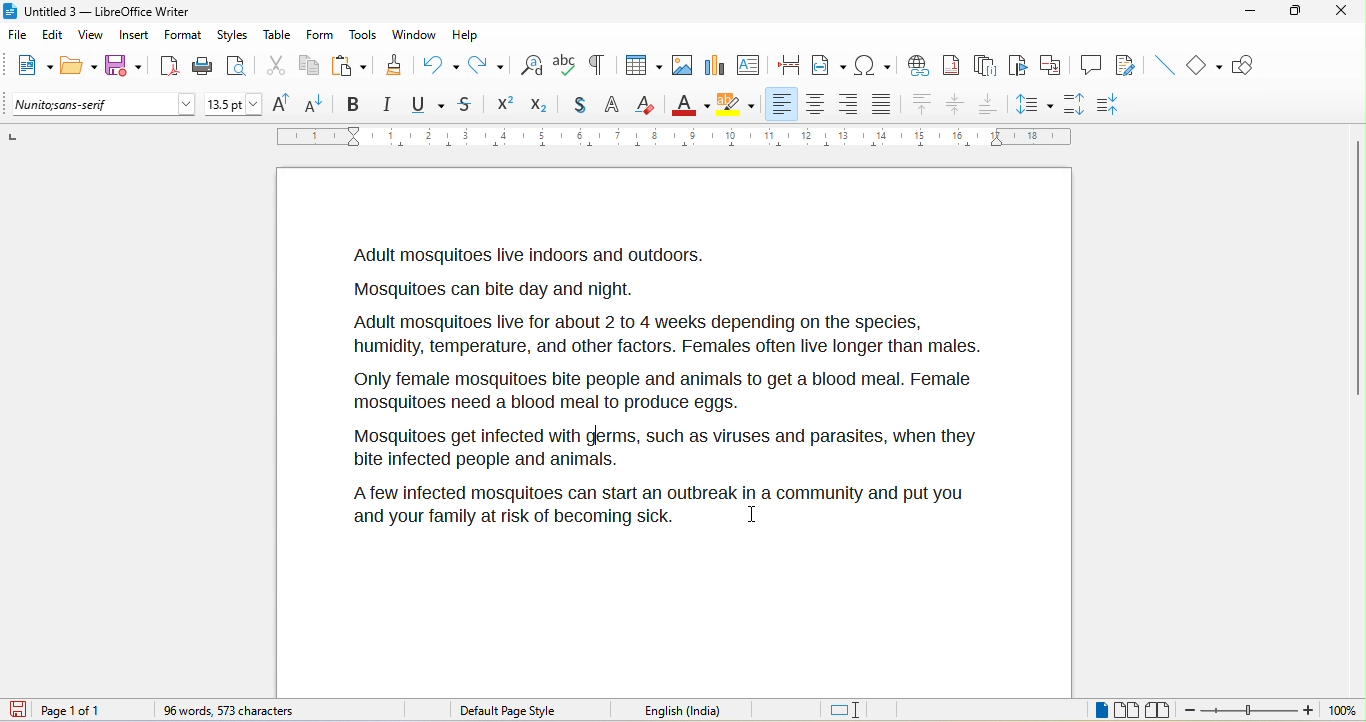 The width and height of the screenshot is (1366, 722). What do you see at coordinates (241, 64) in the screenshot?
I see `print preview` at bounding box center [241, 64].